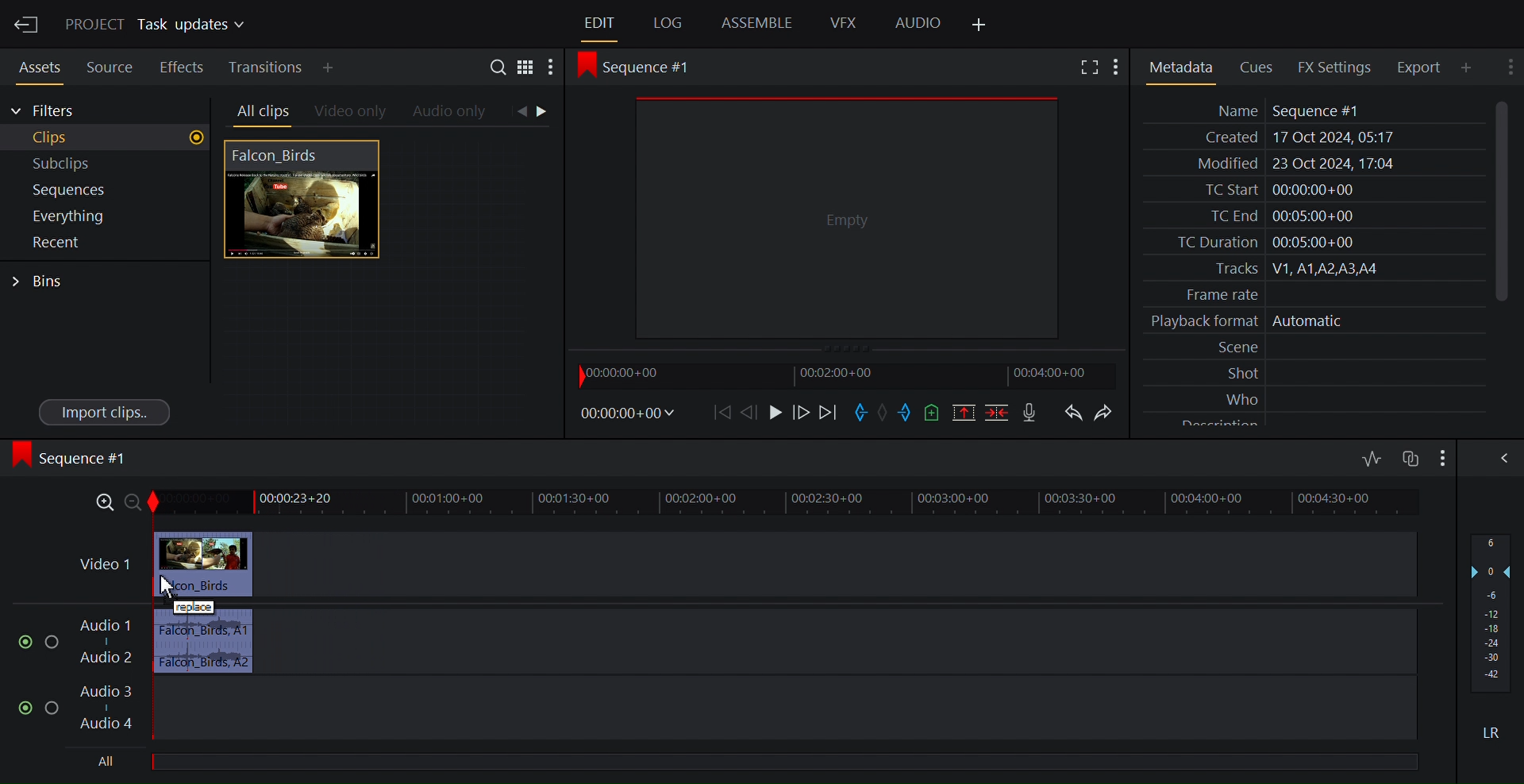 This screenshot has height=784, width=1524. Describe the element at coordinates (103, 243) in the screenshot. I see `Show recent in the current project` at that location.